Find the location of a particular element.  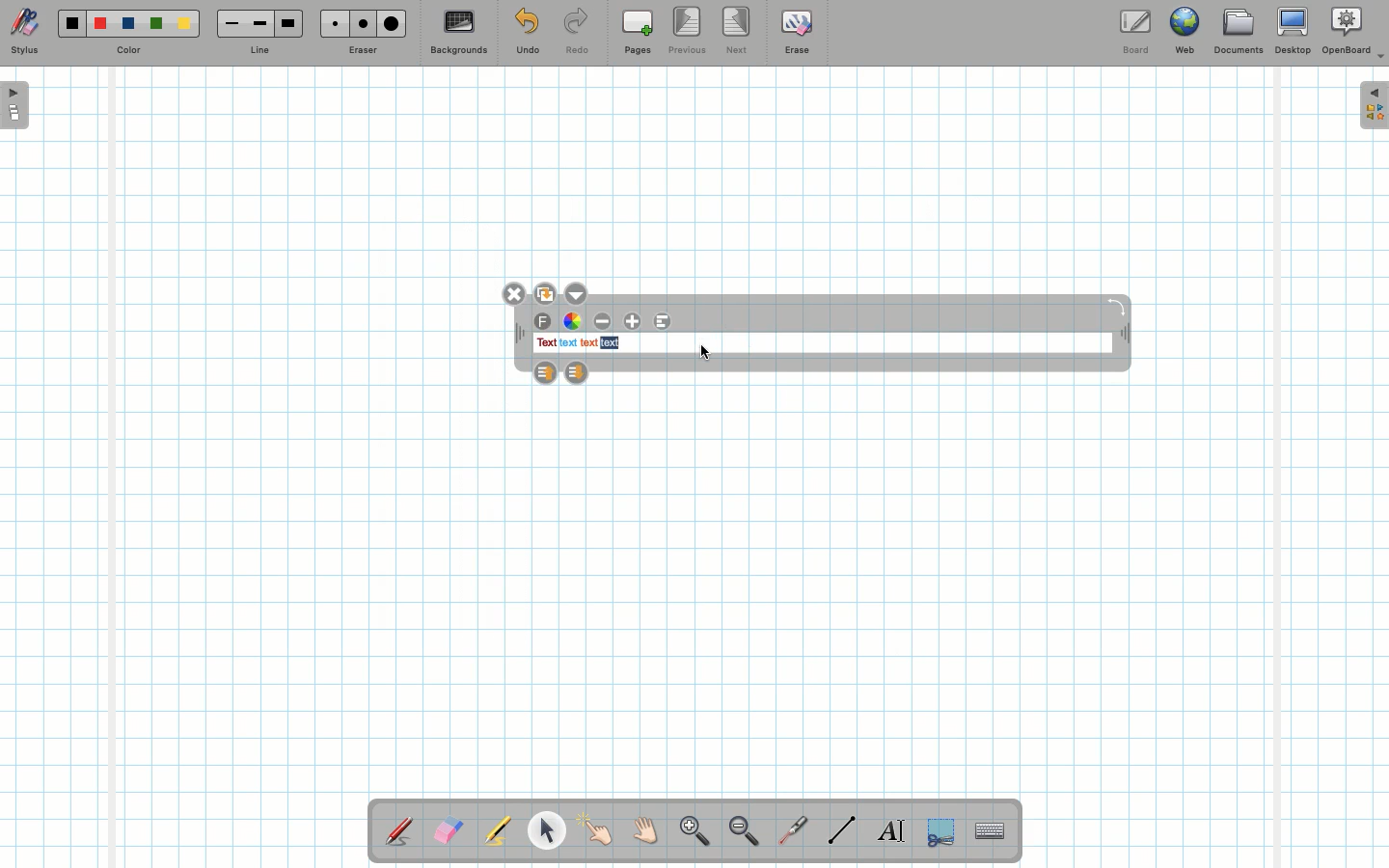

Text input is located at coordinates (991, 826).